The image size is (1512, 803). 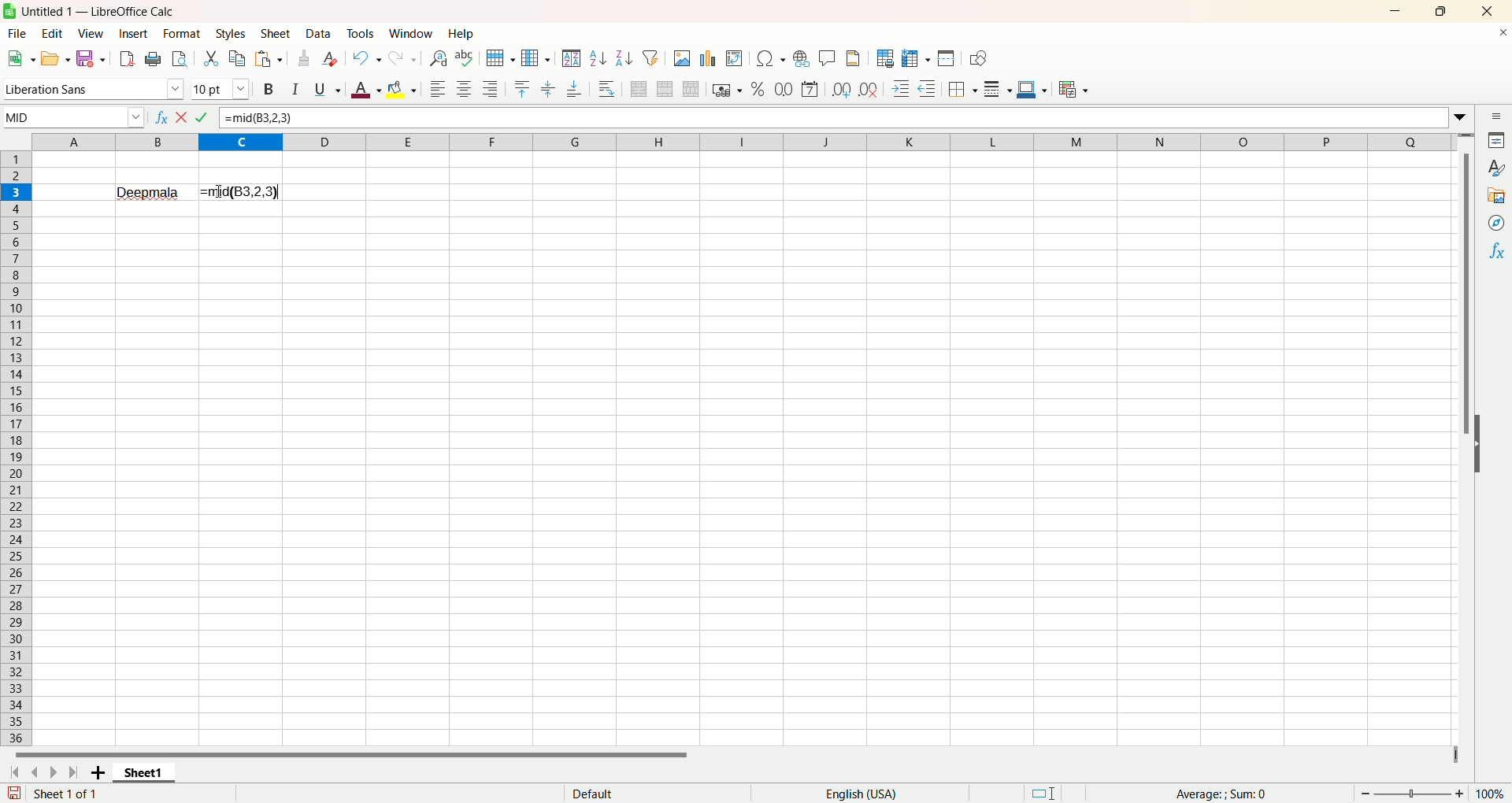 I want to click on Decrease indent, so click(x=928, y=88).